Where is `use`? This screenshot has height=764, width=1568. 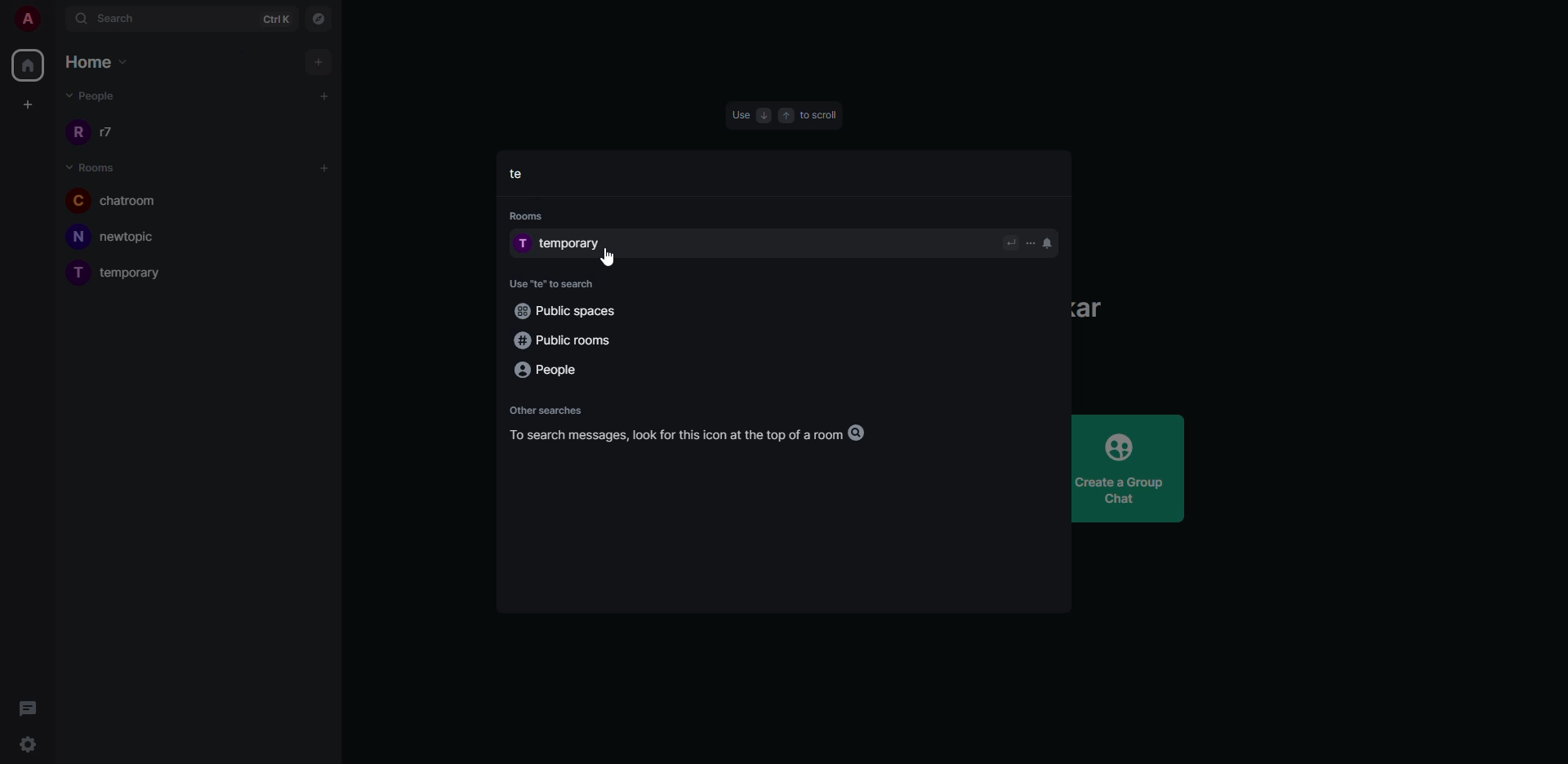 use is located at coordinates (739, 114).